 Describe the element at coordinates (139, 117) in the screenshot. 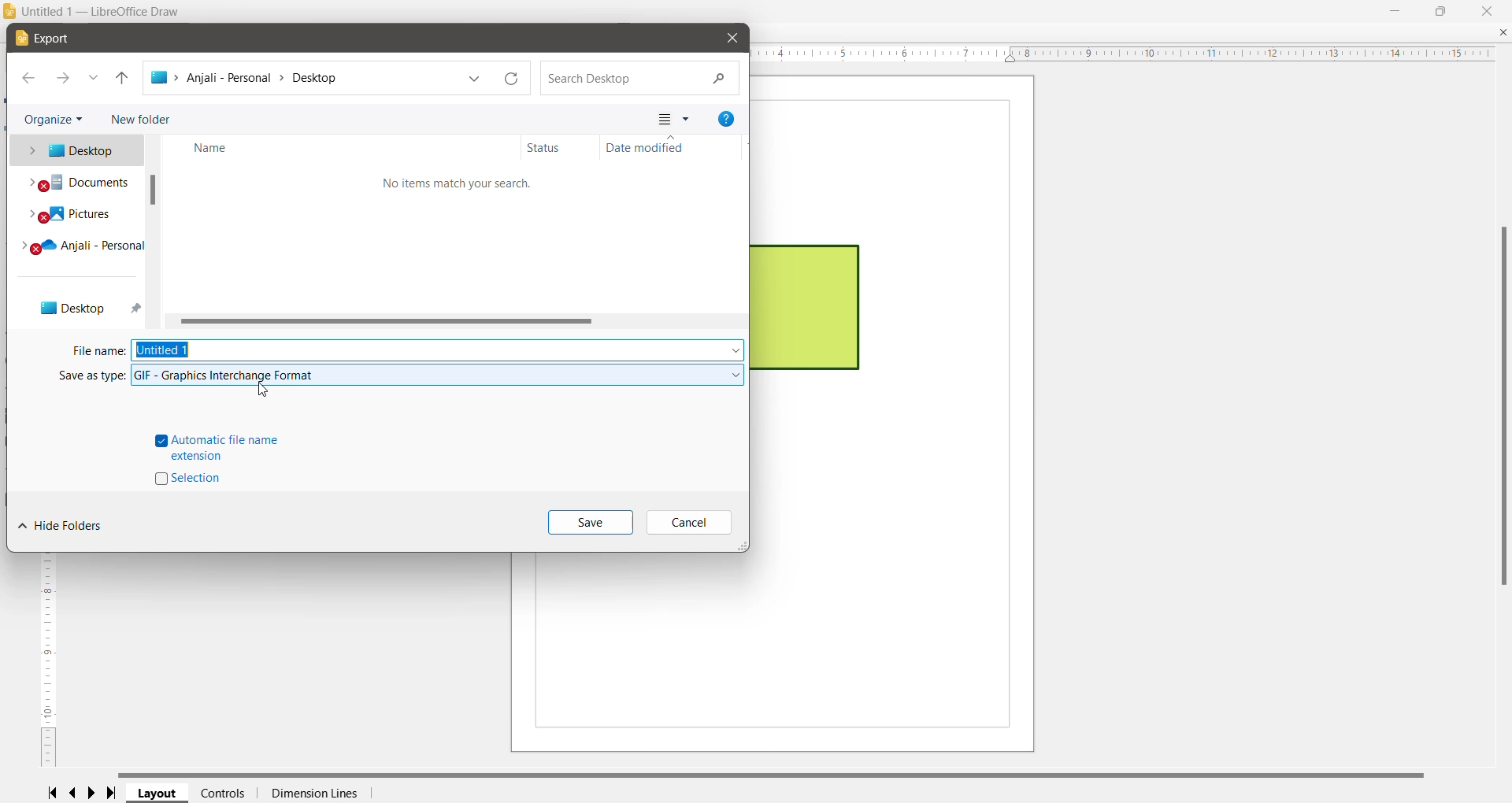

I see `New Folder` at that location.